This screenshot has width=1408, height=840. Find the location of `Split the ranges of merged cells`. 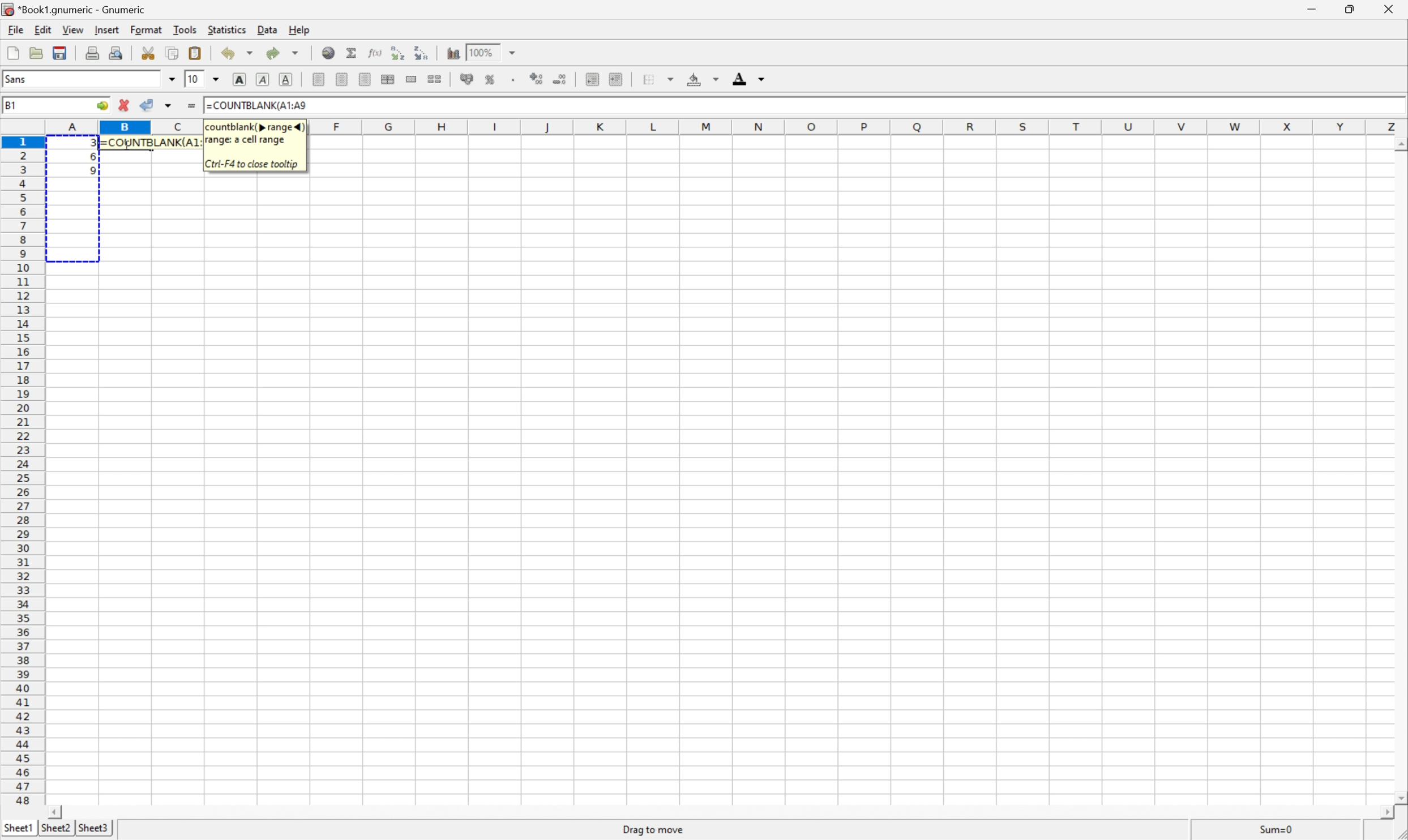

Split the ranges of merged cells is located at coordinates (434, 79).